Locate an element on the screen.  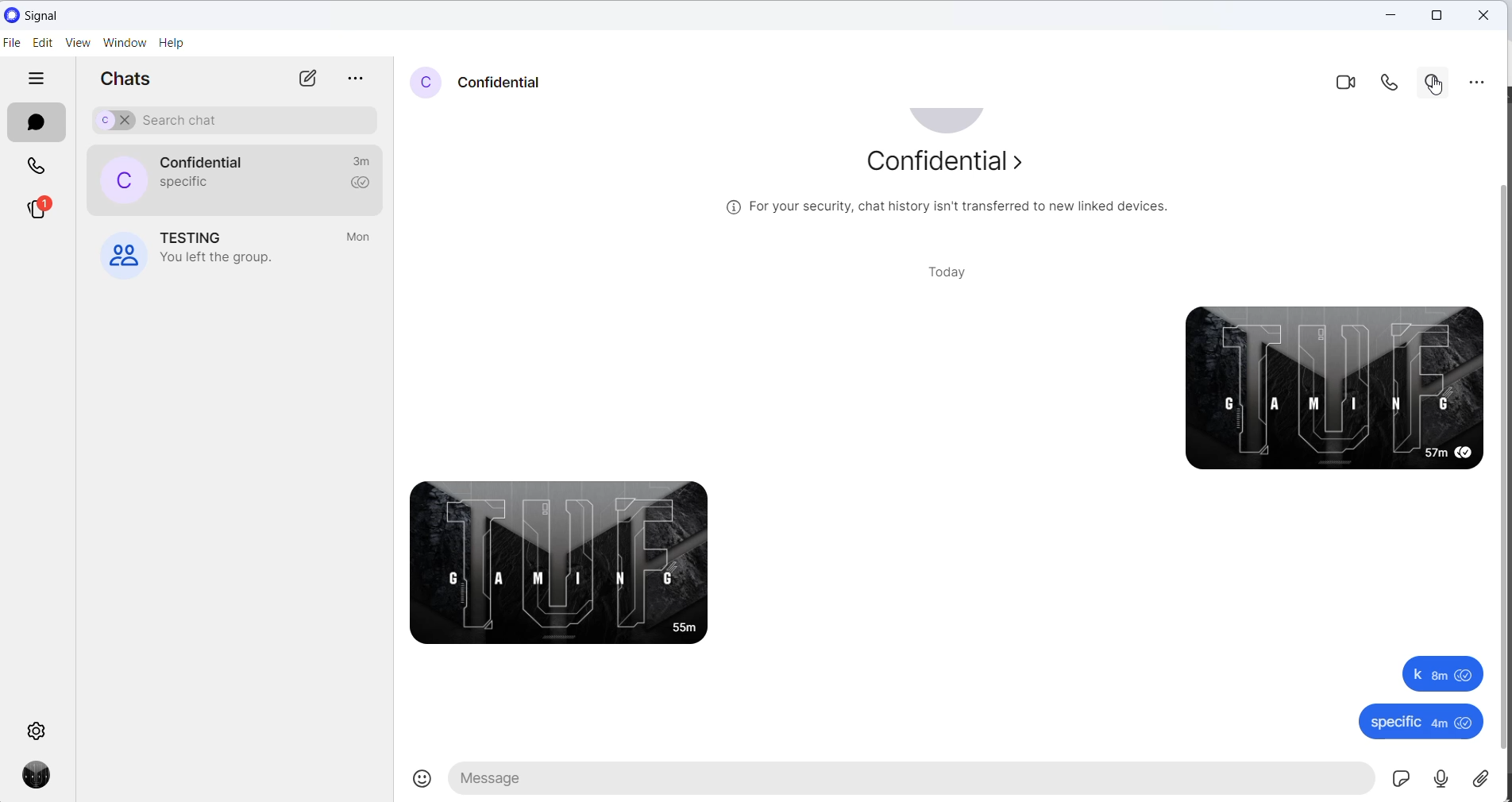
profile picture is located at coordinates (424, 83).